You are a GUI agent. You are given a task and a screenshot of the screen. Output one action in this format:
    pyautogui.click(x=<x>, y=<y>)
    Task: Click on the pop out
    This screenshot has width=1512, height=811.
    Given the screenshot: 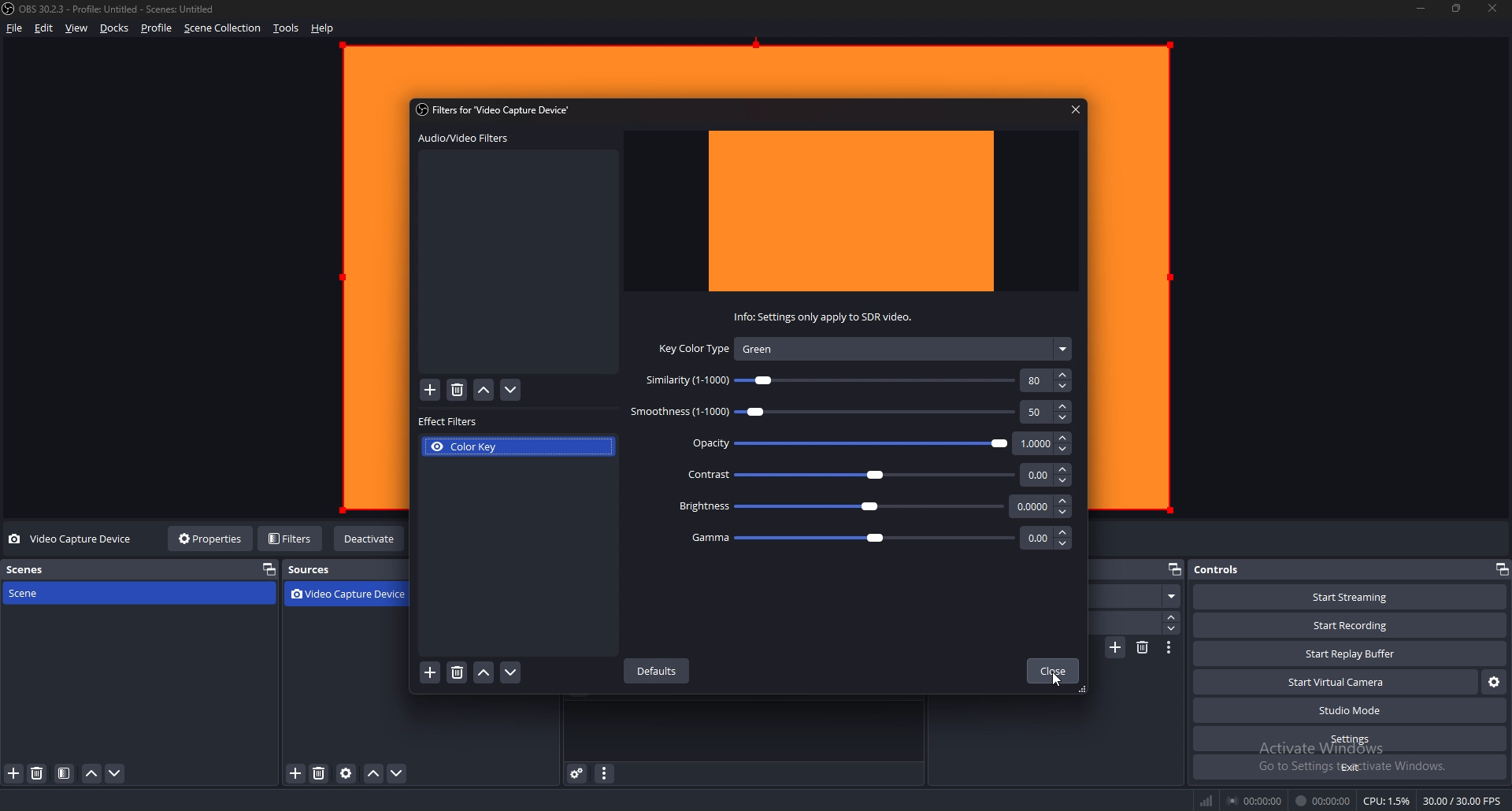 What is the action you would take?
    pyautogui.click(x=1501, y=569)
    